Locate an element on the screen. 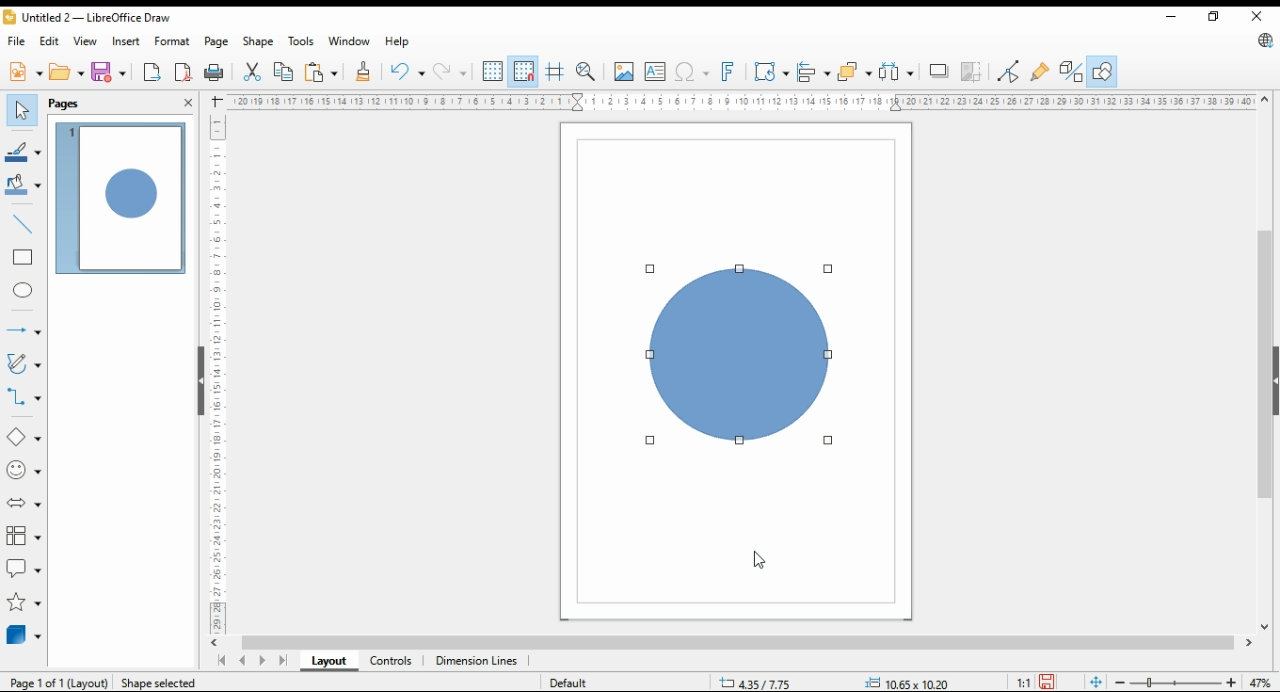 The height and width of the screenshot is (692, 1280). callout shapes is located at coordinates (21, 566).